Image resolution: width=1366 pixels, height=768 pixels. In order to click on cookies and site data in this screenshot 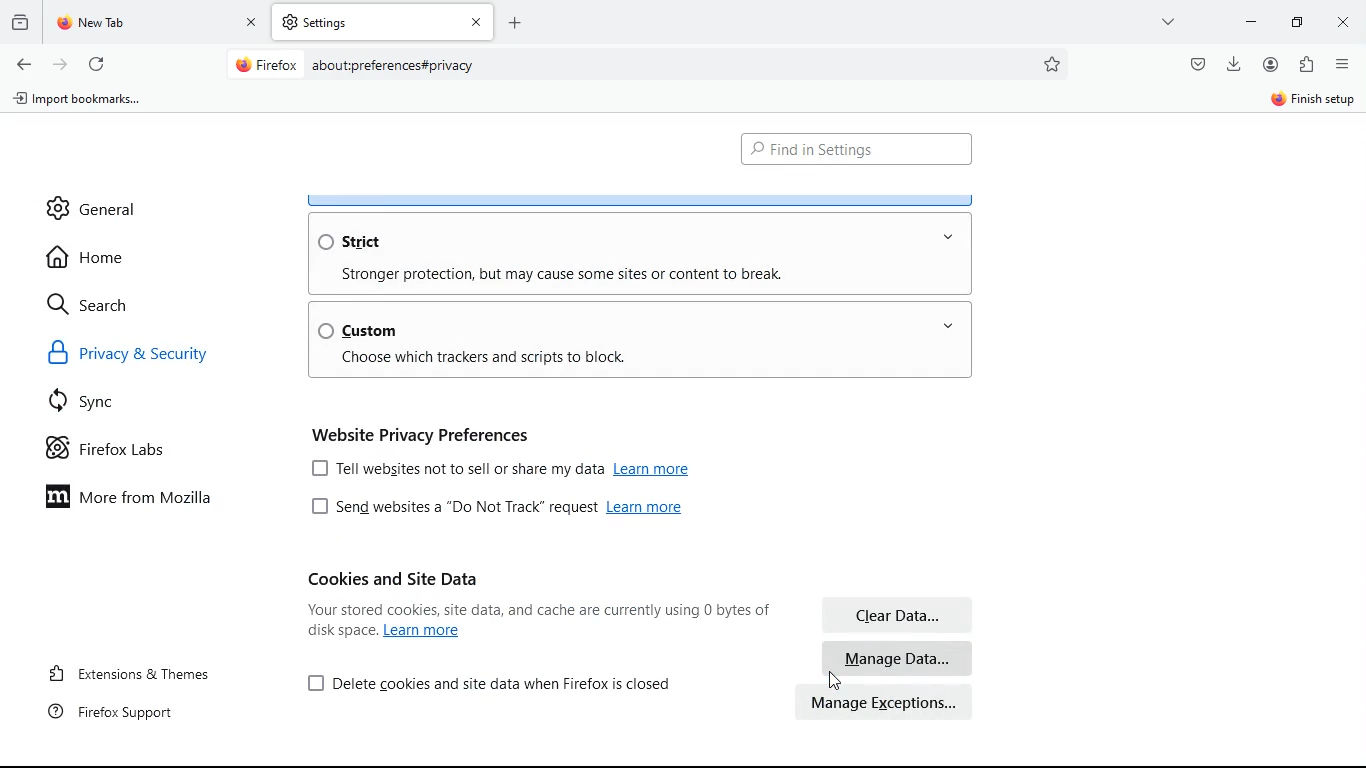, I will do `click(394, 578)`.